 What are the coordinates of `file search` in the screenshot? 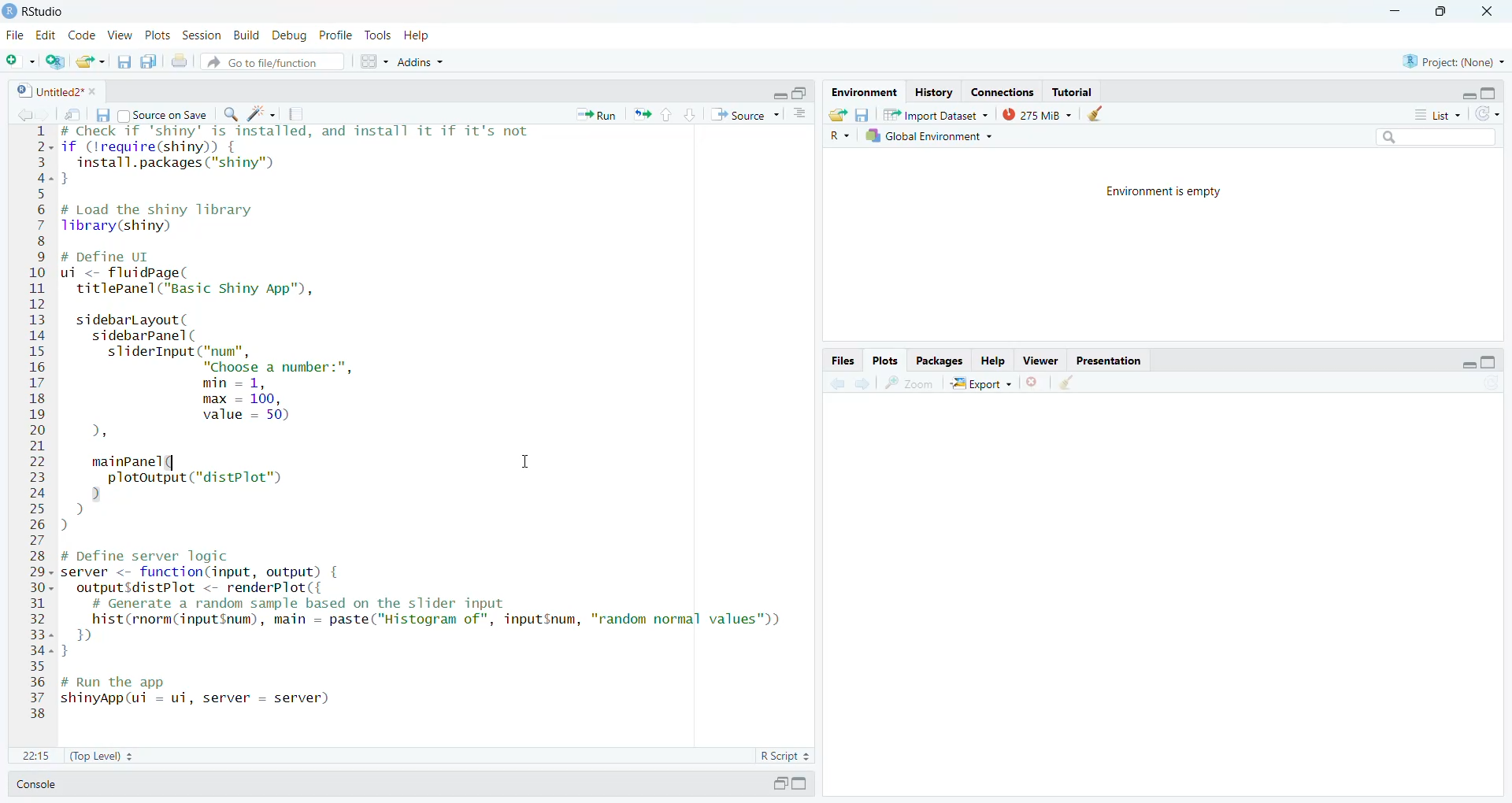 It's located at (274, 61).